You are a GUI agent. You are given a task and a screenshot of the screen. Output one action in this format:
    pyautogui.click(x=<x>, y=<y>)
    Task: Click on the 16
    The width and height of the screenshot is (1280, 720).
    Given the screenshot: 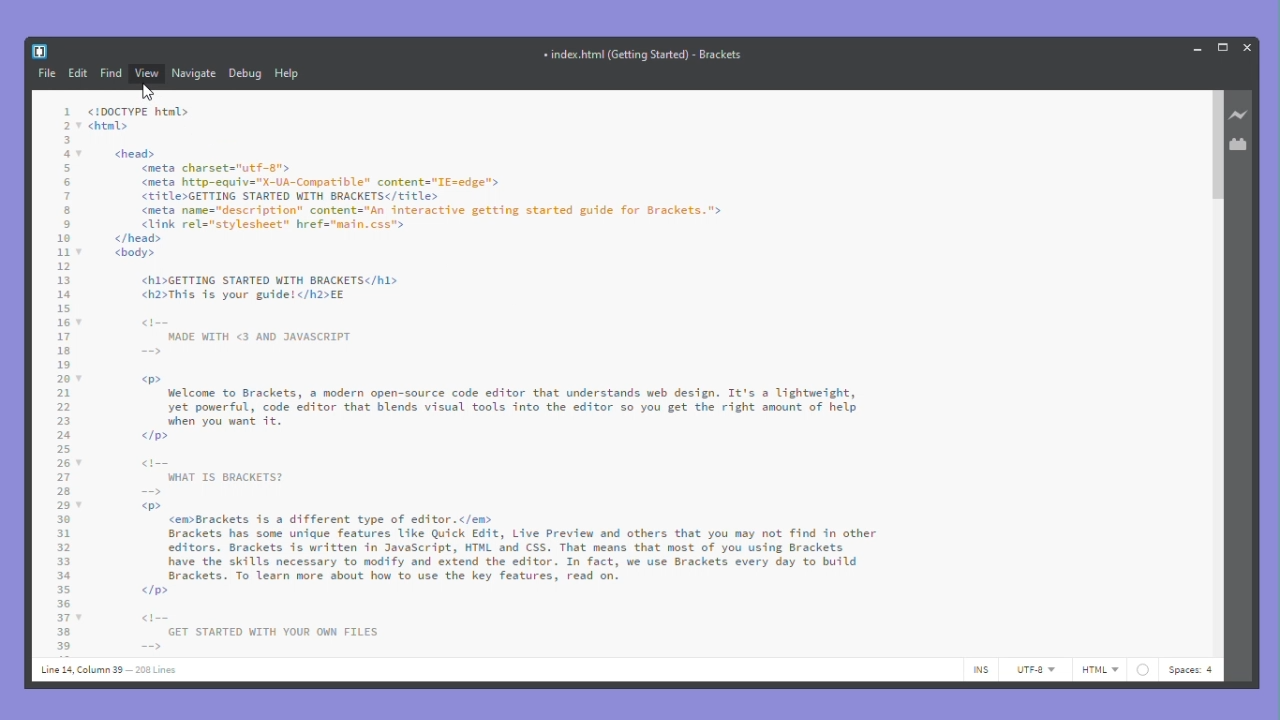 What is the action you would take?
    pyautogui.click(x=64, y=322)
    